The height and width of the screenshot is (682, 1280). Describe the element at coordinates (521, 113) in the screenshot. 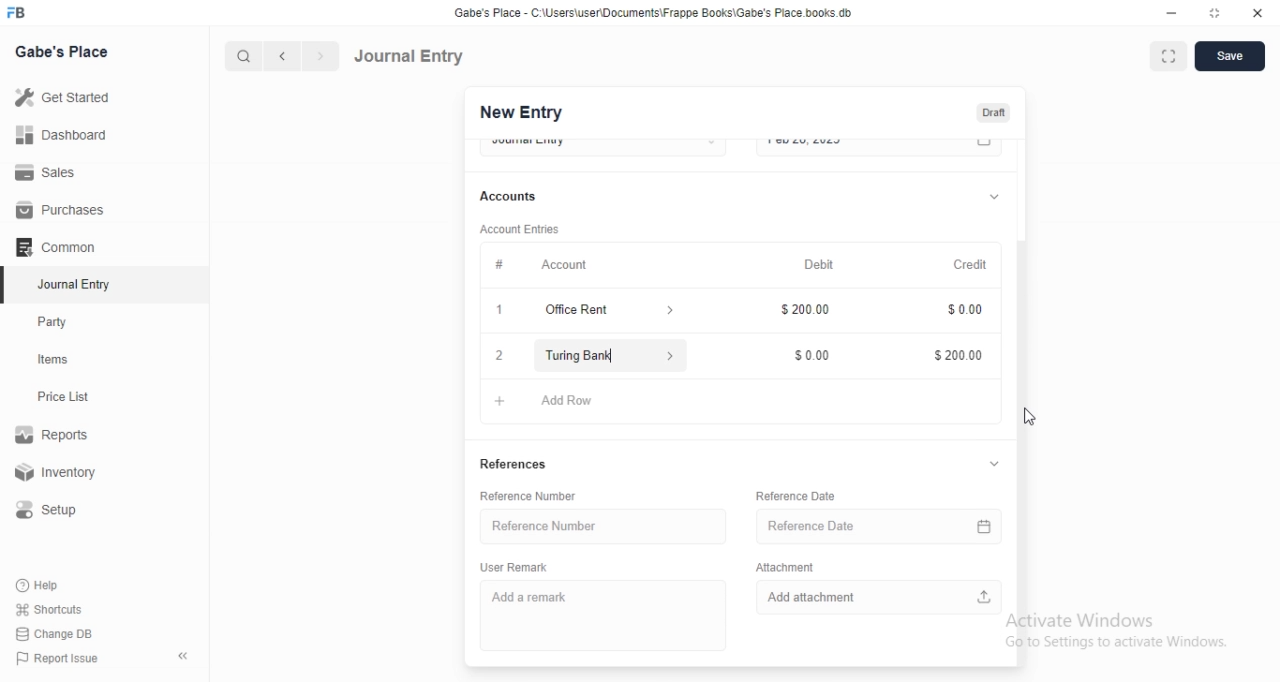

I see `New Entry` at that location.